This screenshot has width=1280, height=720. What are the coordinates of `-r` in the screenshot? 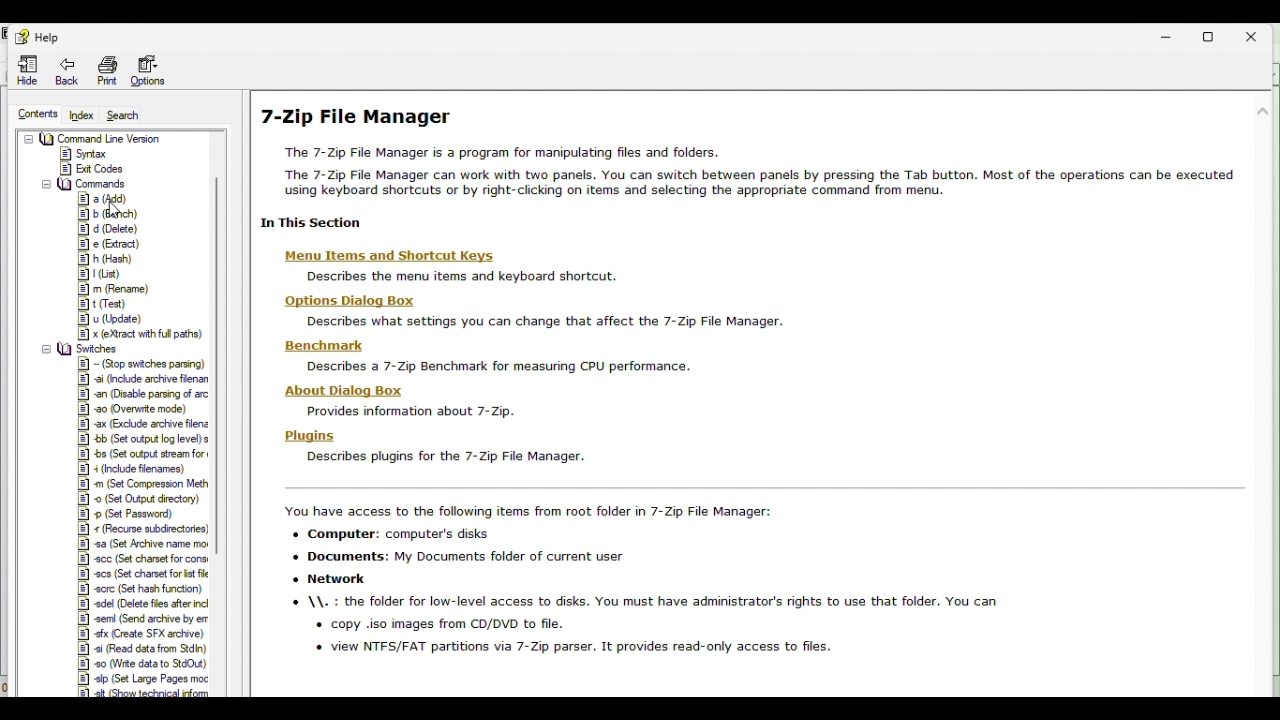 It's located at (143, 528).